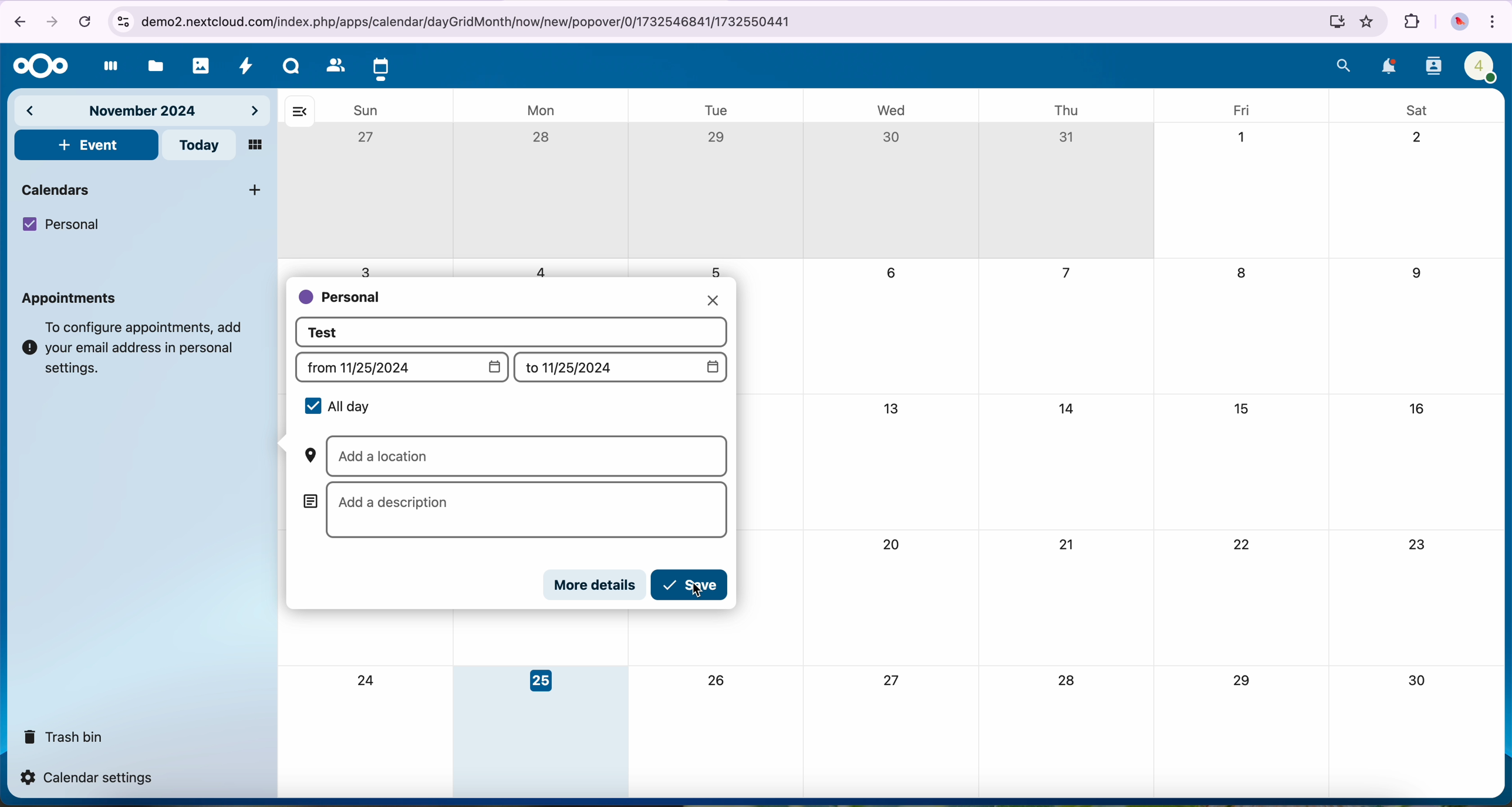  I want to click on 7, so click(1065, 274).